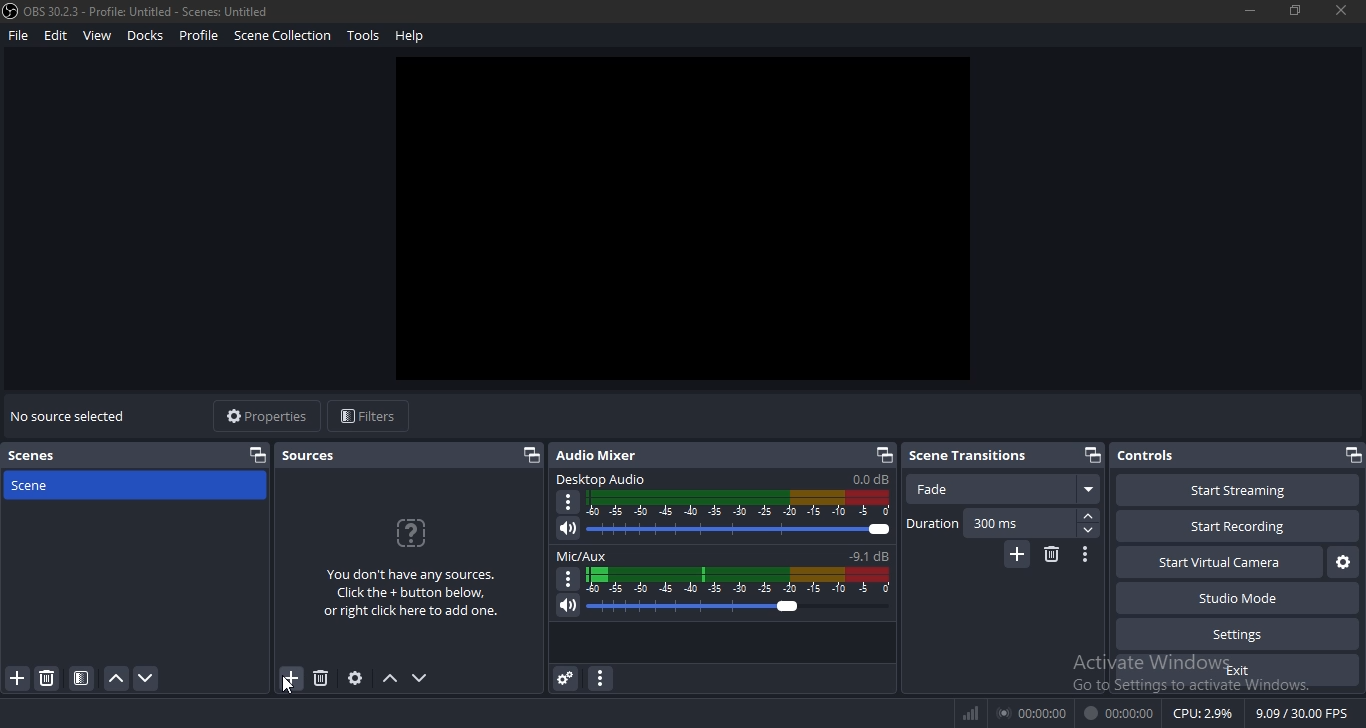  Describe the element at coordinates (885, 454) in the screenshot. I see `restore` at that location.